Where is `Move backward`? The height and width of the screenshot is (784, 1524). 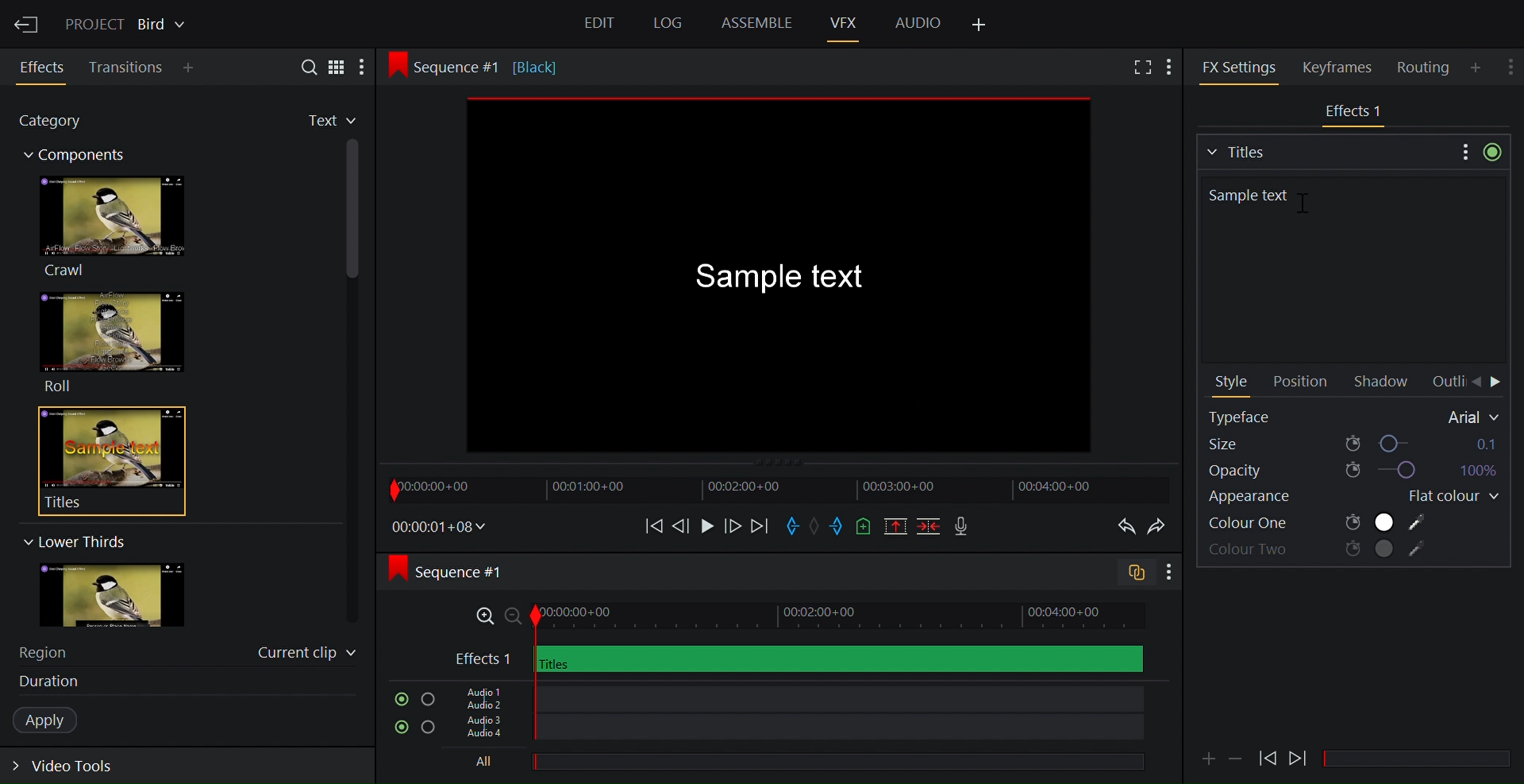
Move backward is located at coordinates (648, 525).